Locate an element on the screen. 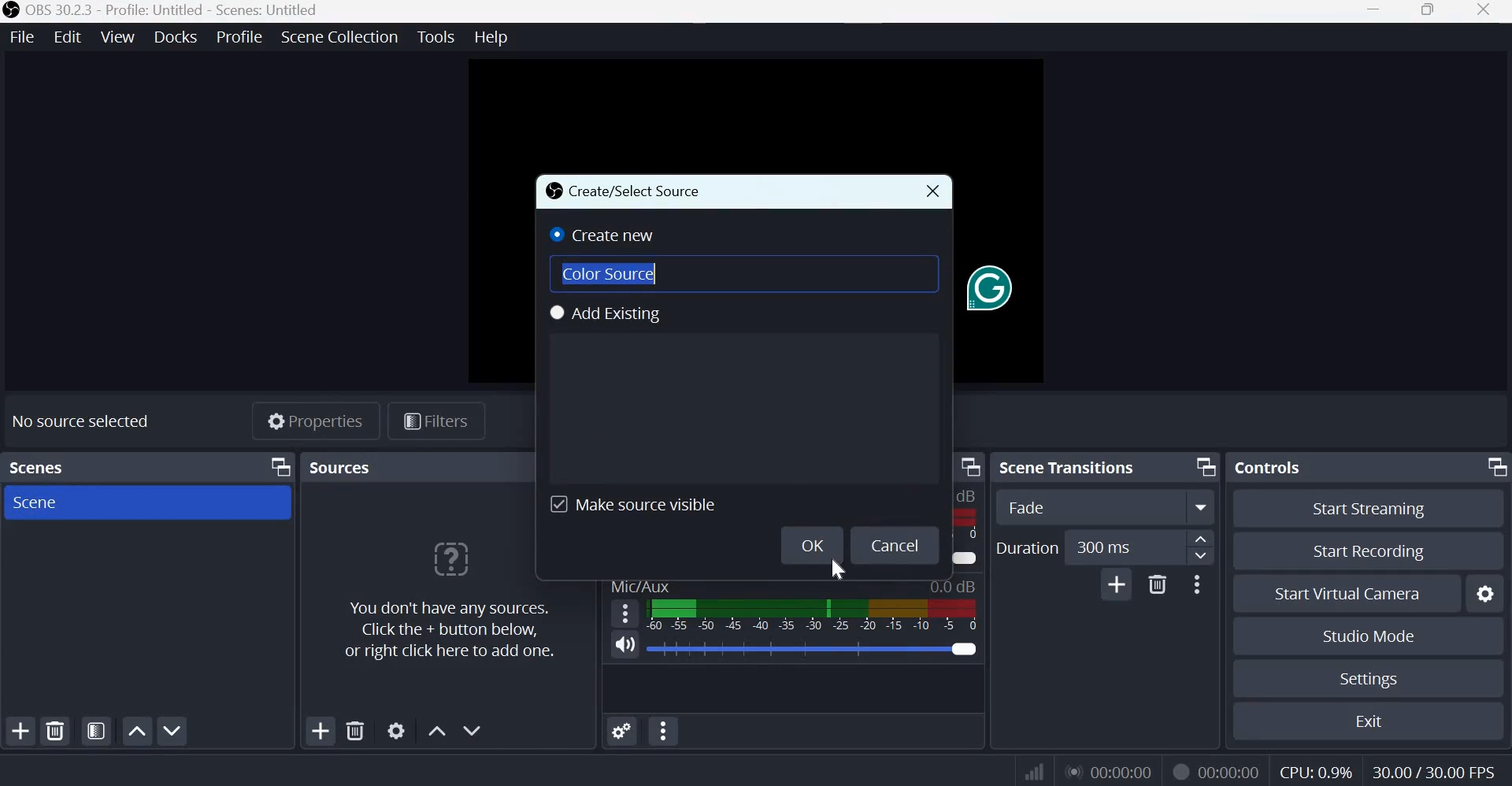 The height and width of the screenshot is (786, 1512). Remove selected source(s) is located at coordinates (356, 730).